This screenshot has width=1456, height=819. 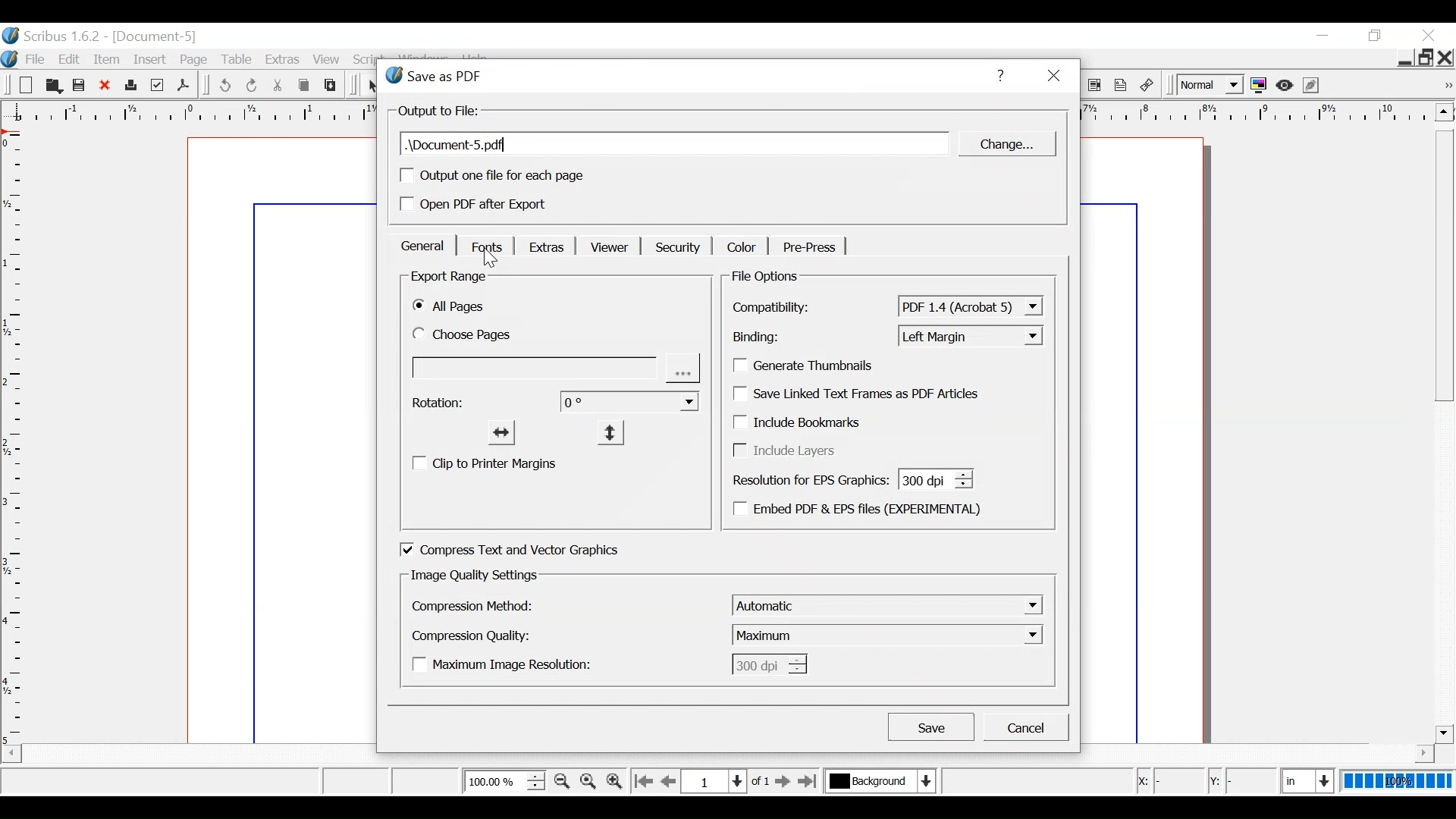 What do you see at coordinates (490, 463) in the screenshot?
I see `(un)check Clip to printer margins` at bounding box center [490, 463].